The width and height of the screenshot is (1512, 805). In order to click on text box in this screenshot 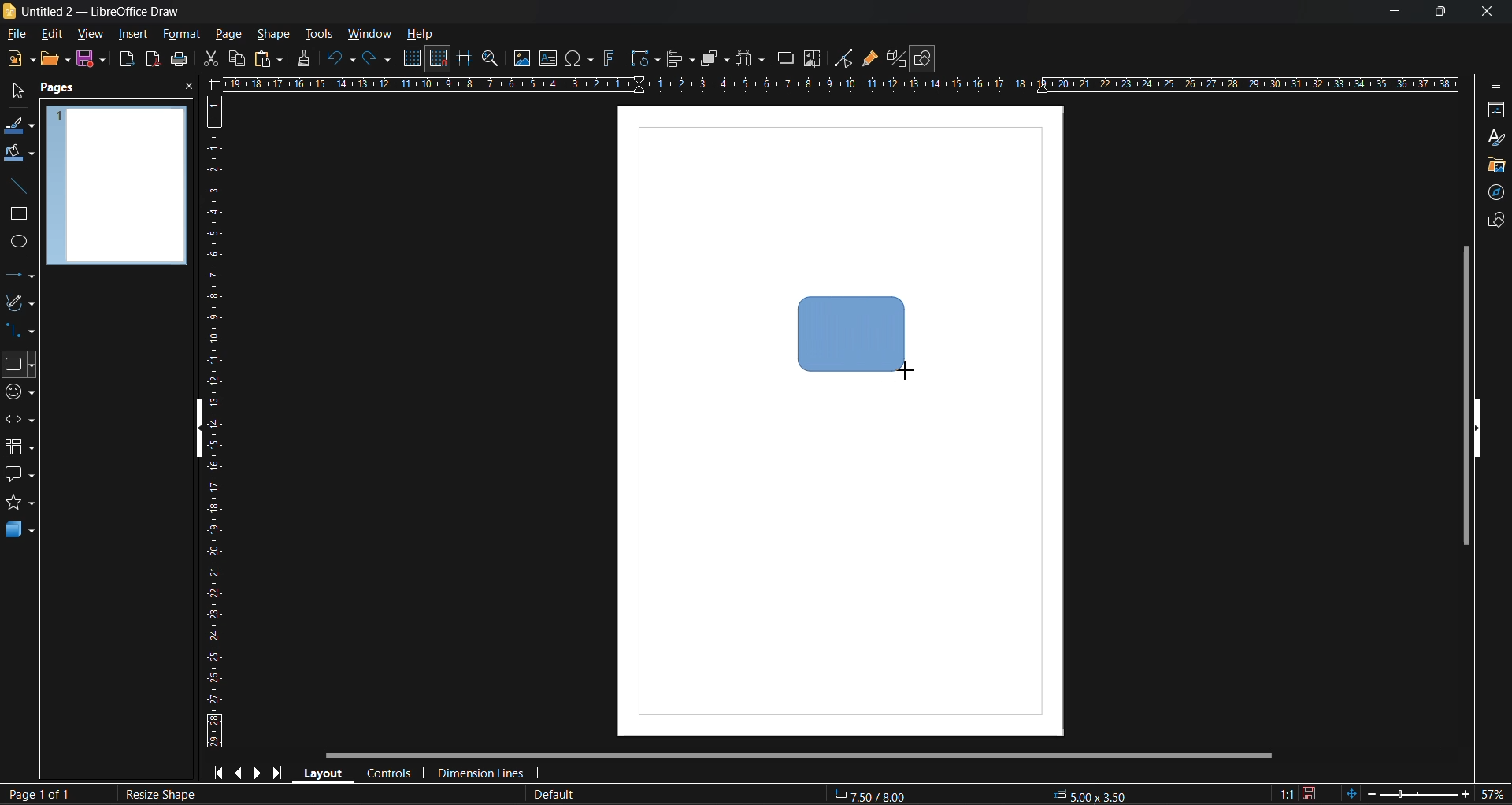, I will do `click(551, 58)`.